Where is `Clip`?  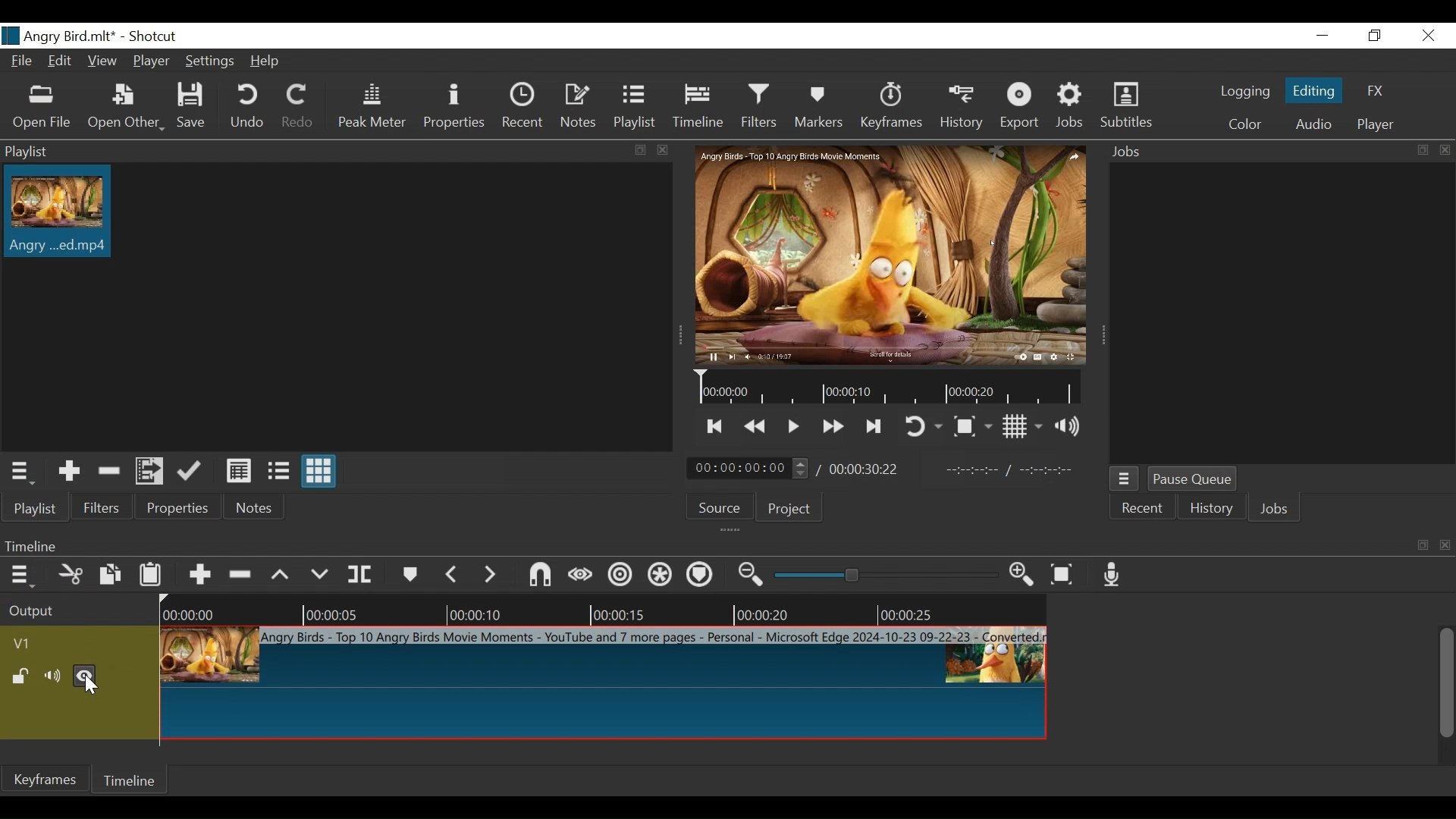 Clip is located at coordinates (602, 681).